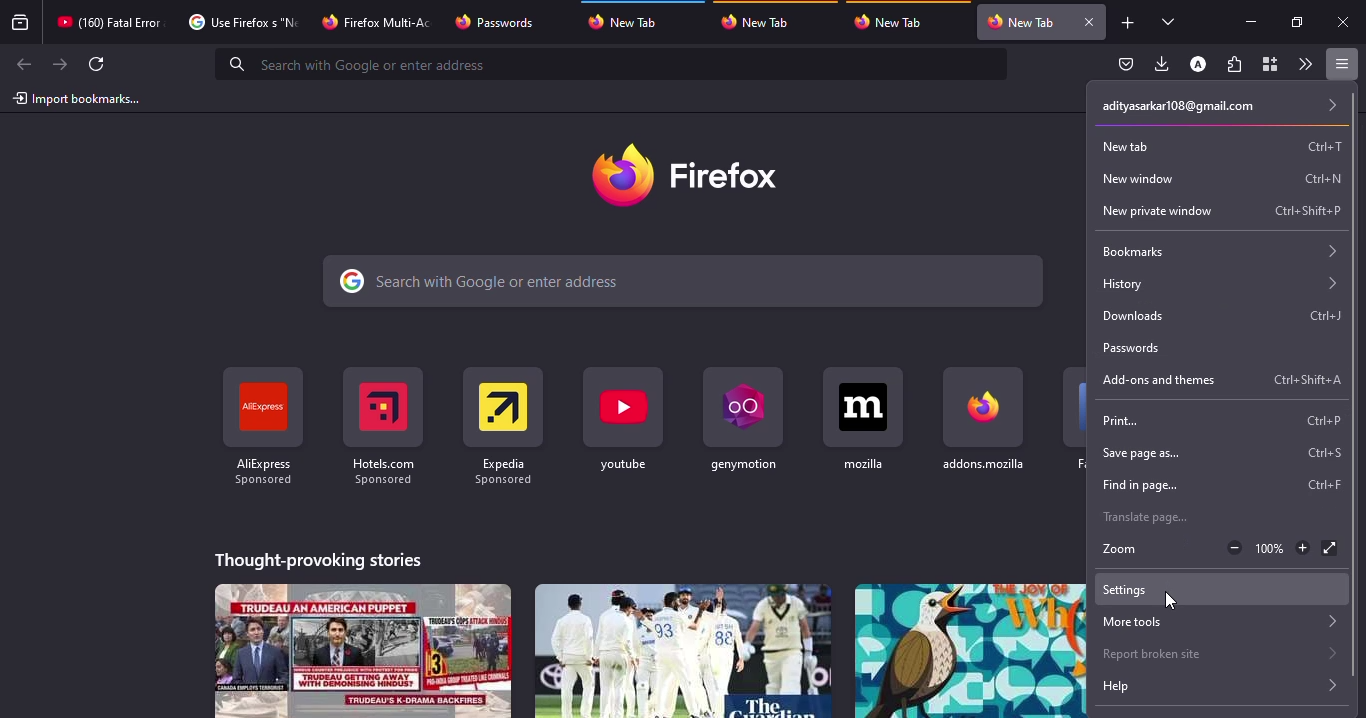 This screenshot has height=718, width=1366. What do you see at coordinates (1171, 600) in the screenshot?
I see `cursor` at bounding box center [1171, 600].